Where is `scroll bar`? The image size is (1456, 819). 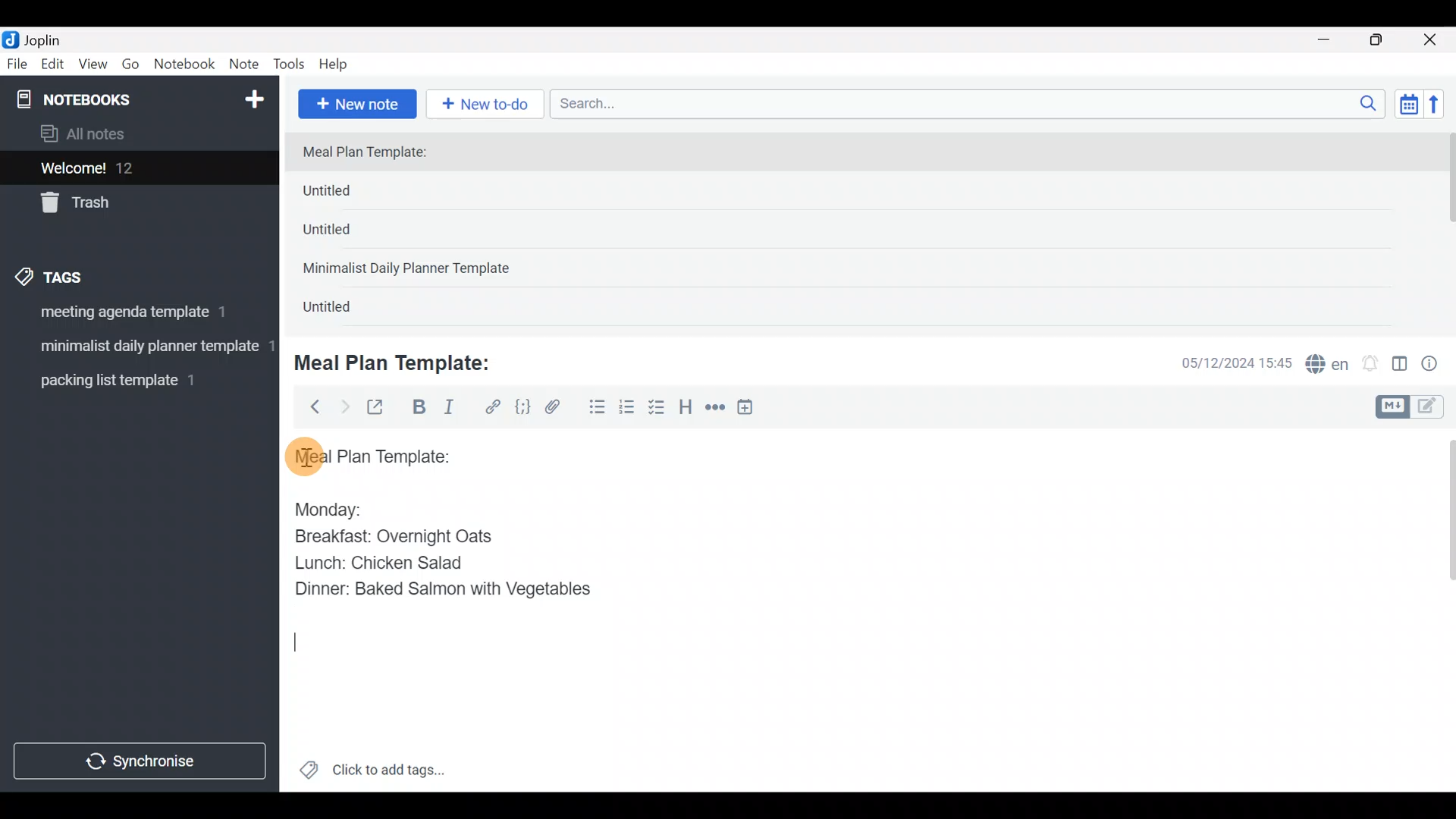
scroll bar is located at coordinates (1446, 229).